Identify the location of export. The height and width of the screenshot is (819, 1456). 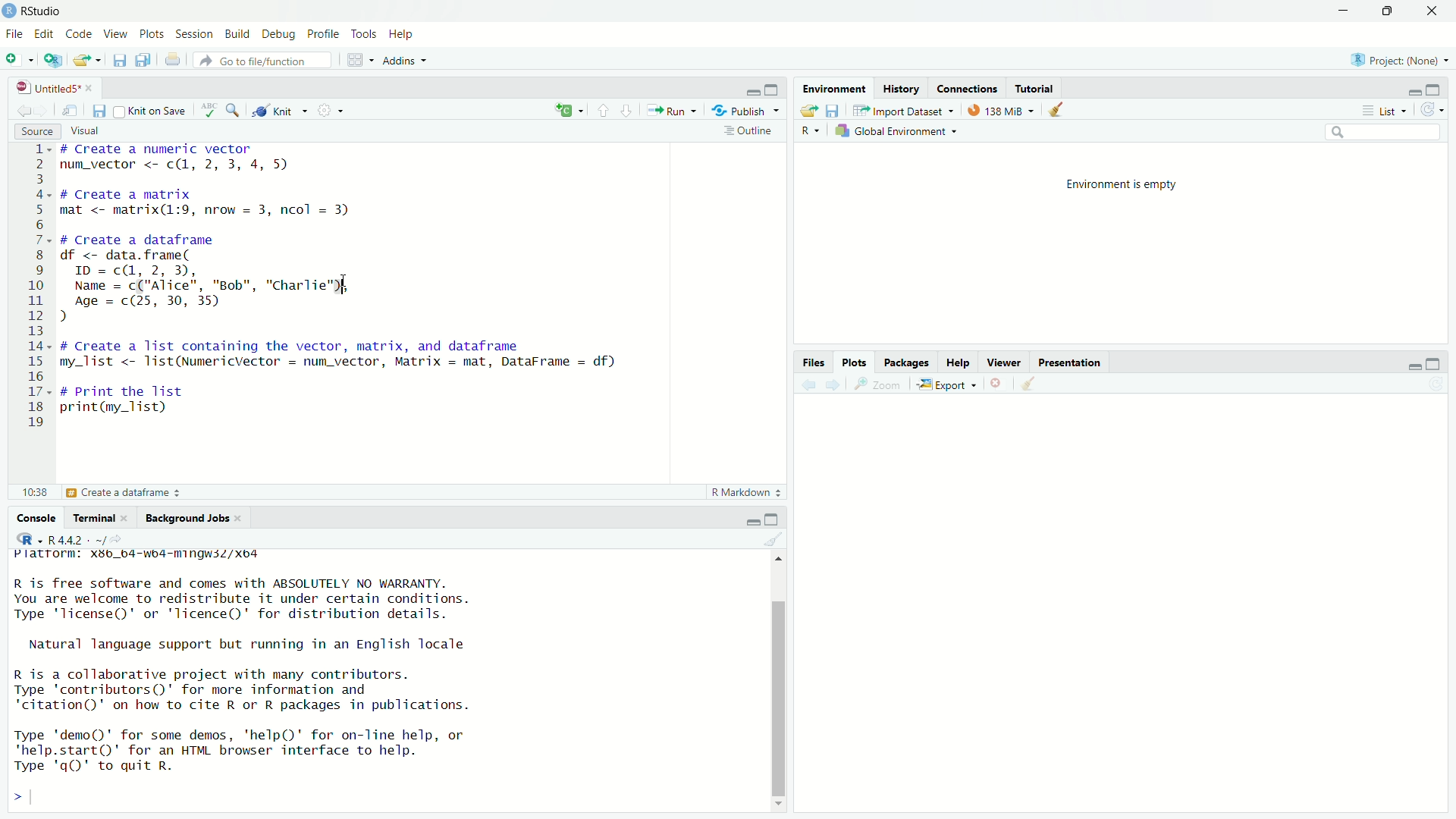
(86, 63).